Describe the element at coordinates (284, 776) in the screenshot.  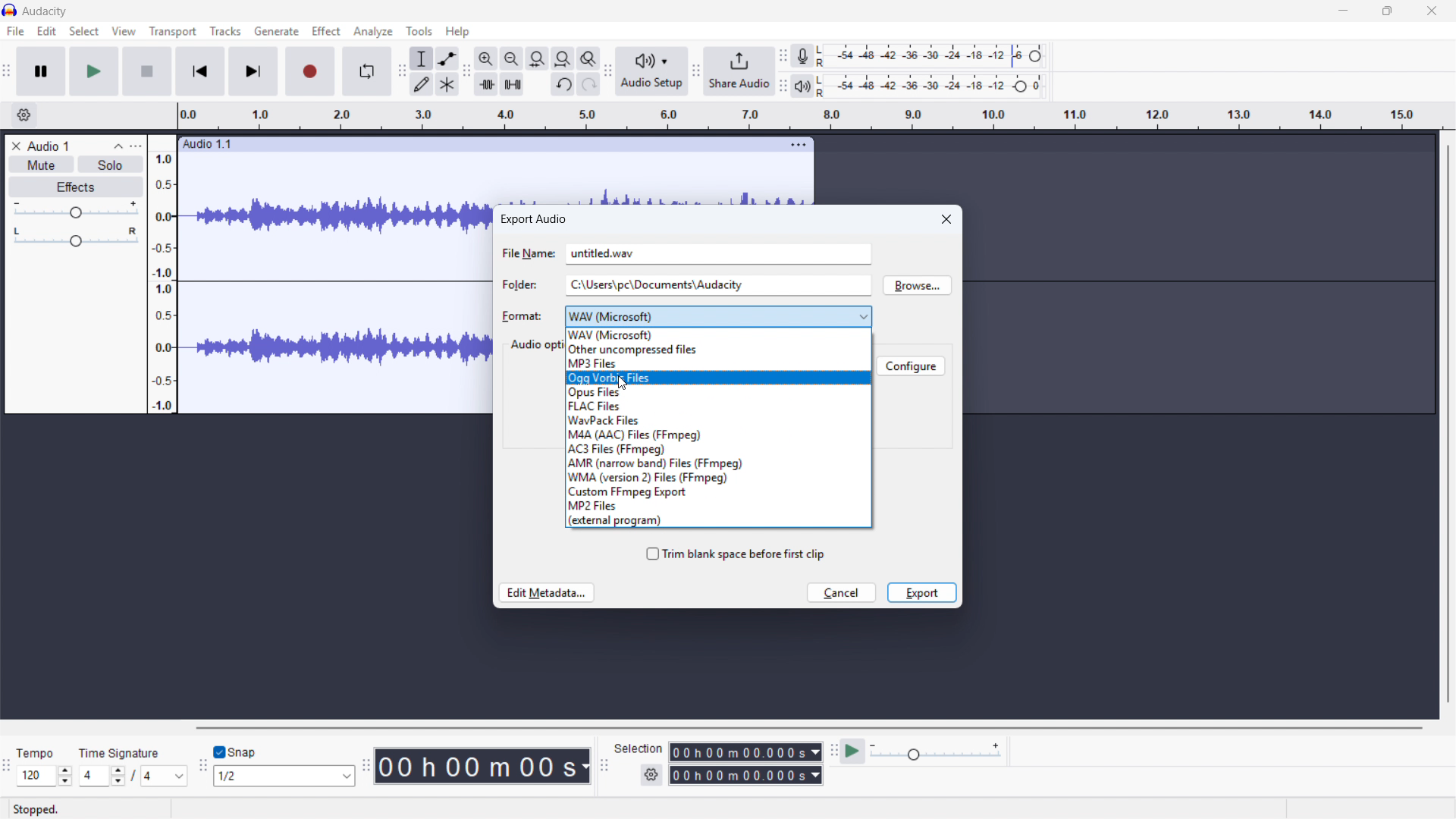
I see `Set snapping ` at that location.